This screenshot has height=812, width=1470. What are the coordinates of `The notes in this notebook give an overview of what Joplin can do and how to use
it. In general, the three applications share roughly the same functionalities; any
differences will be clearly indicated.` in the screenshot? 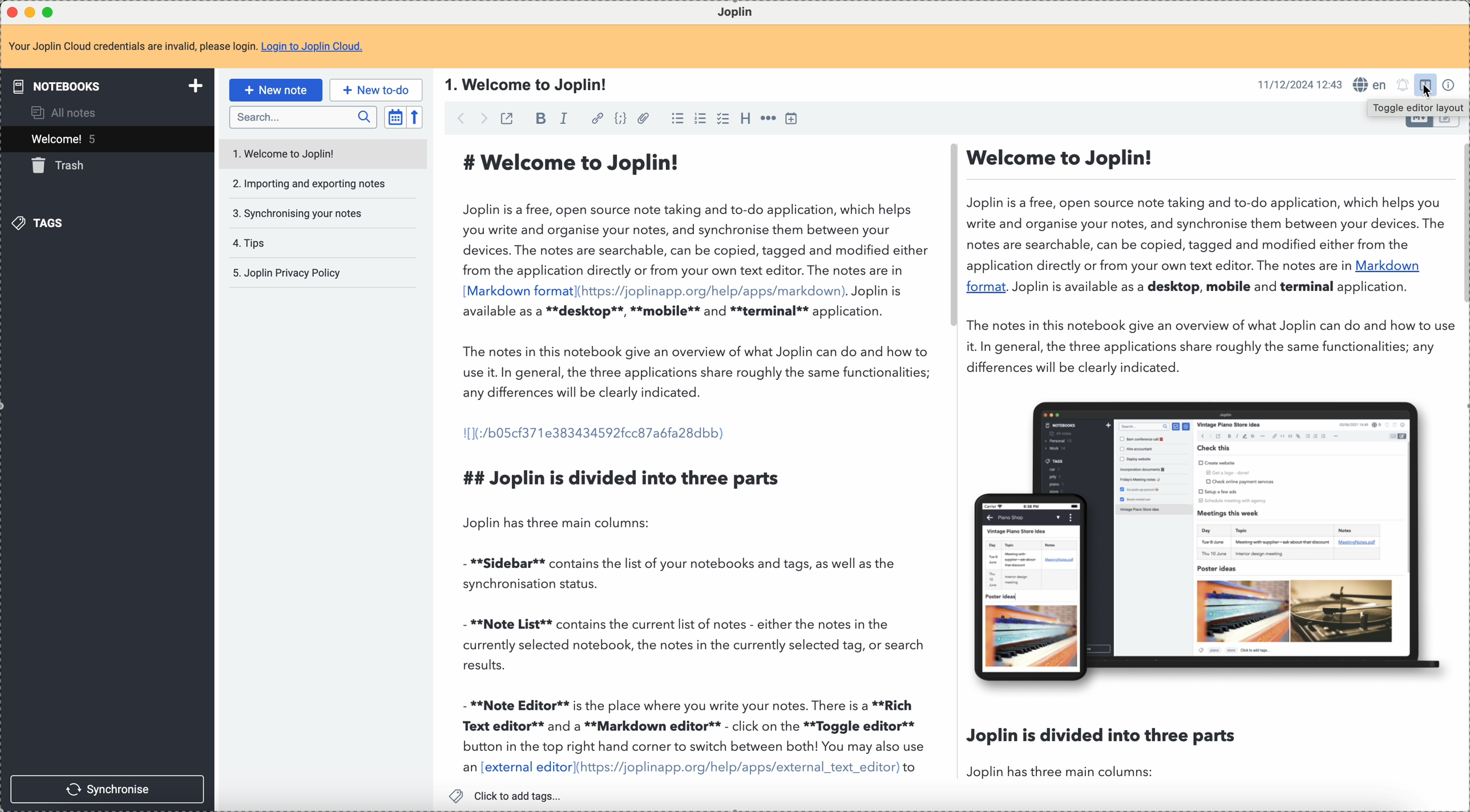 It's located at (1209, 346).